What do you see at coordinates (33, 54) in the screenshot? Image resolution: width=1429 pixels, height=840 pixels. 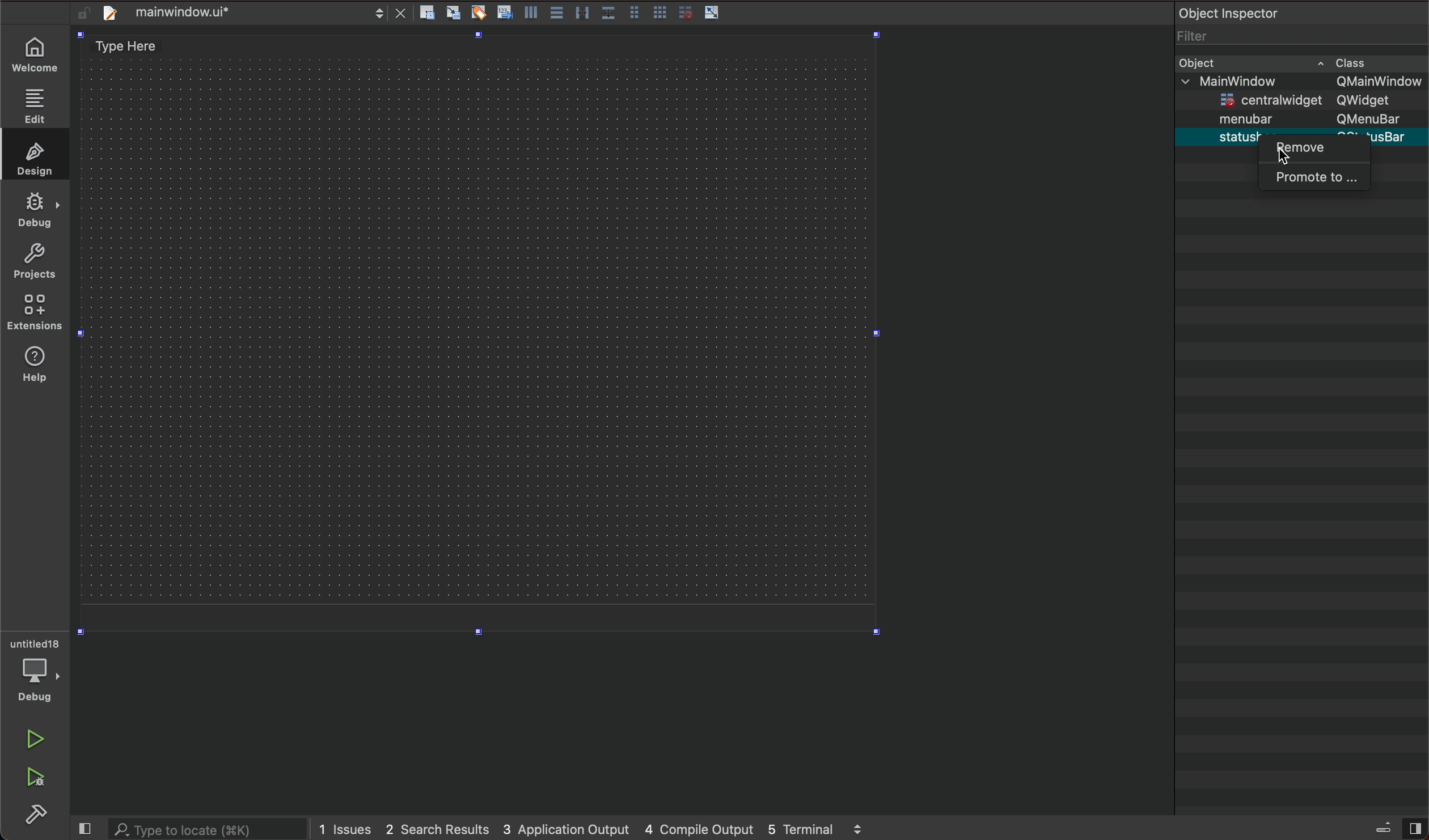 I see `welcome` at bounding box center [33, 54].